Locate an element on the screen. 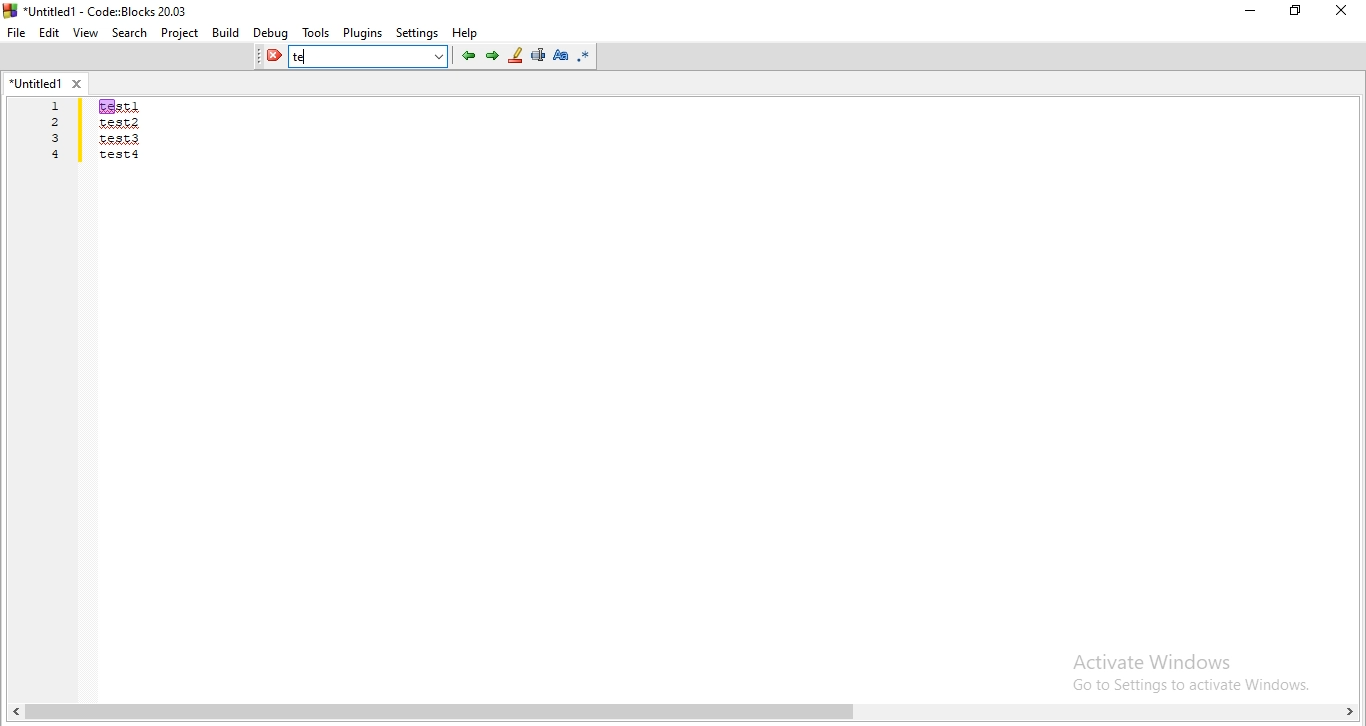 This screenshot has width=1366, height=726. View is located at coordinates (86, 32).